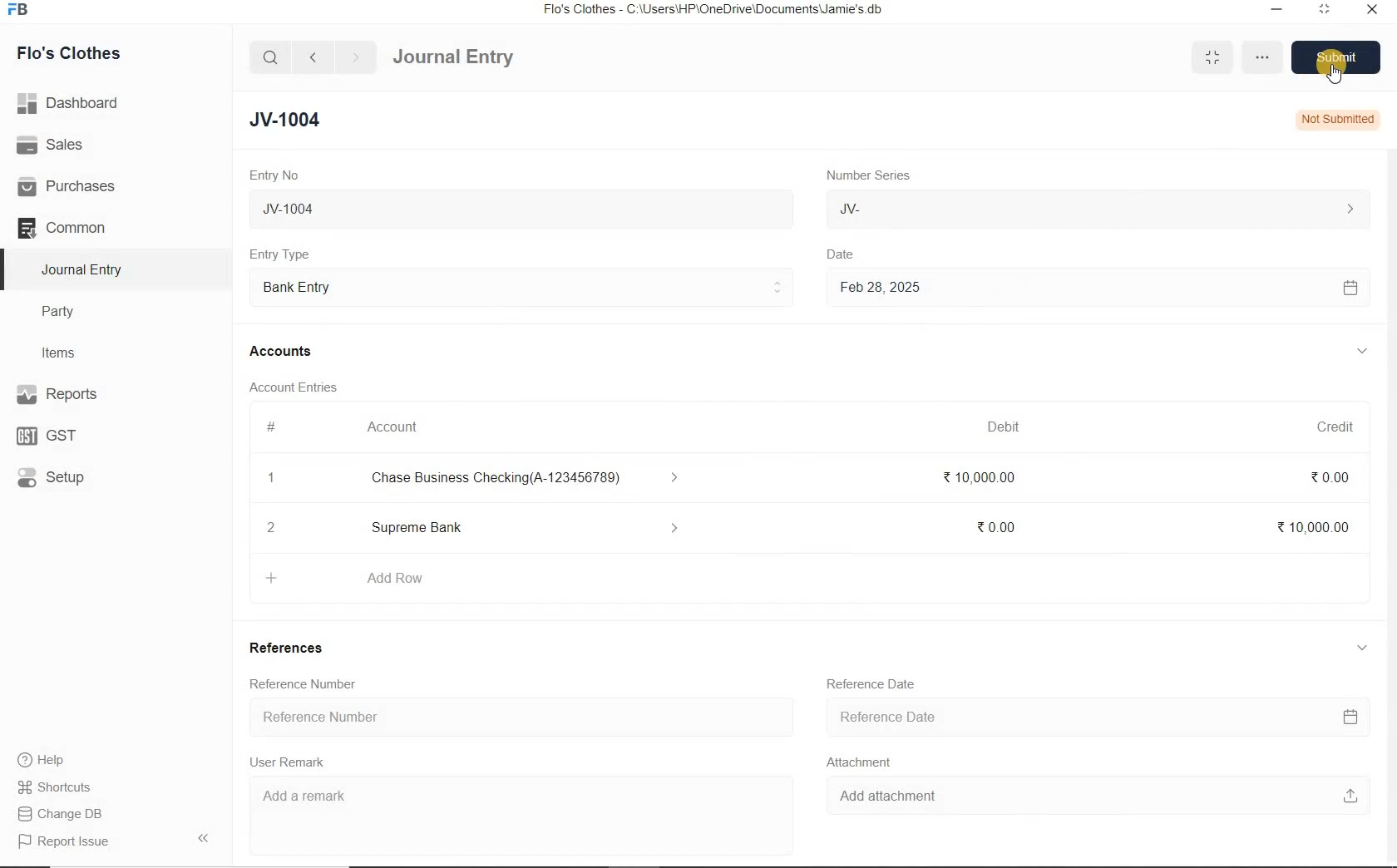  What do you see at coordinates (83, 396) in the screenshot?
I see `Reports` at bounding box center [83, 396].